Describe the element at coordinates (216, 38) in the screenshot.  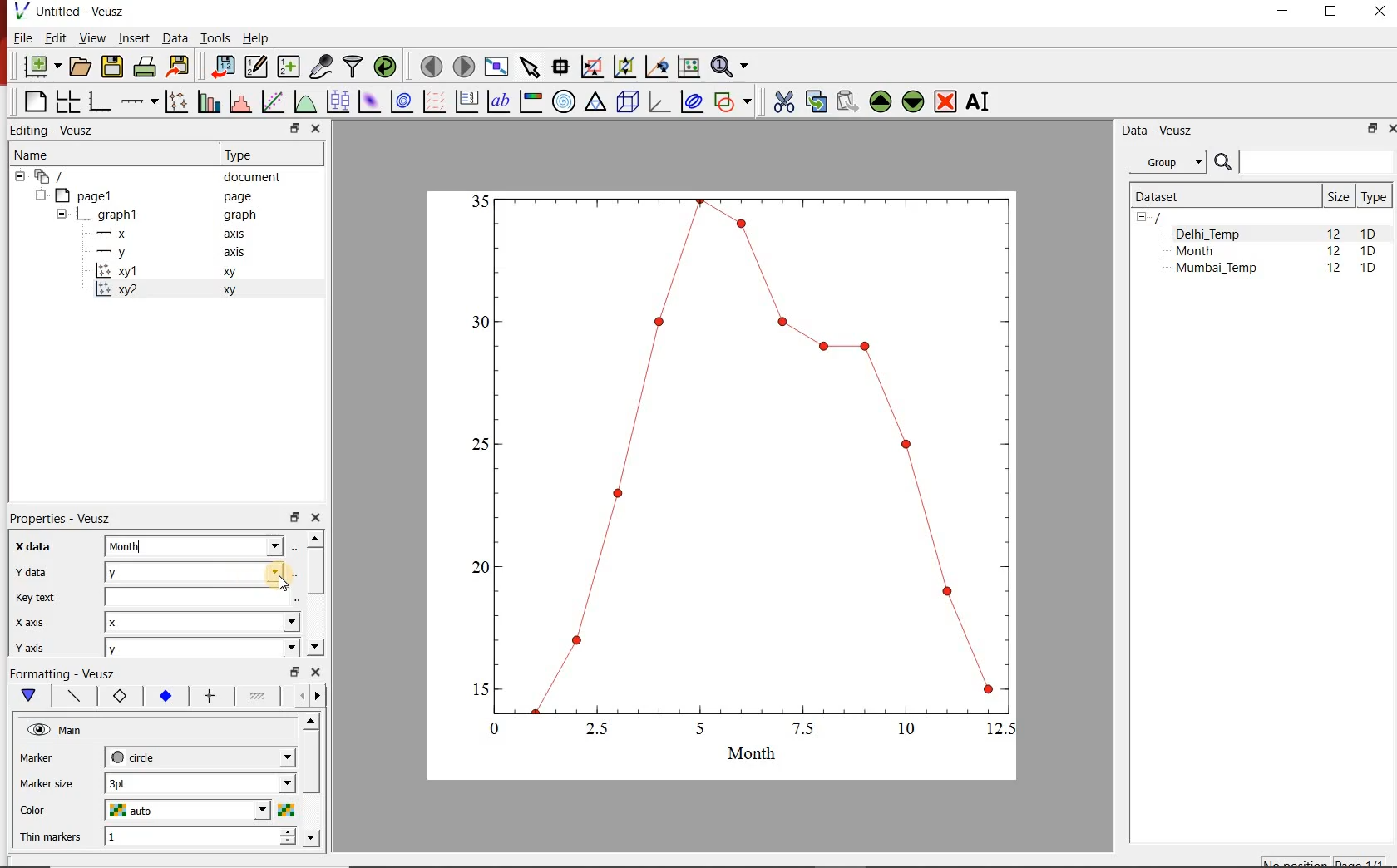
I see `Tools` at that location.